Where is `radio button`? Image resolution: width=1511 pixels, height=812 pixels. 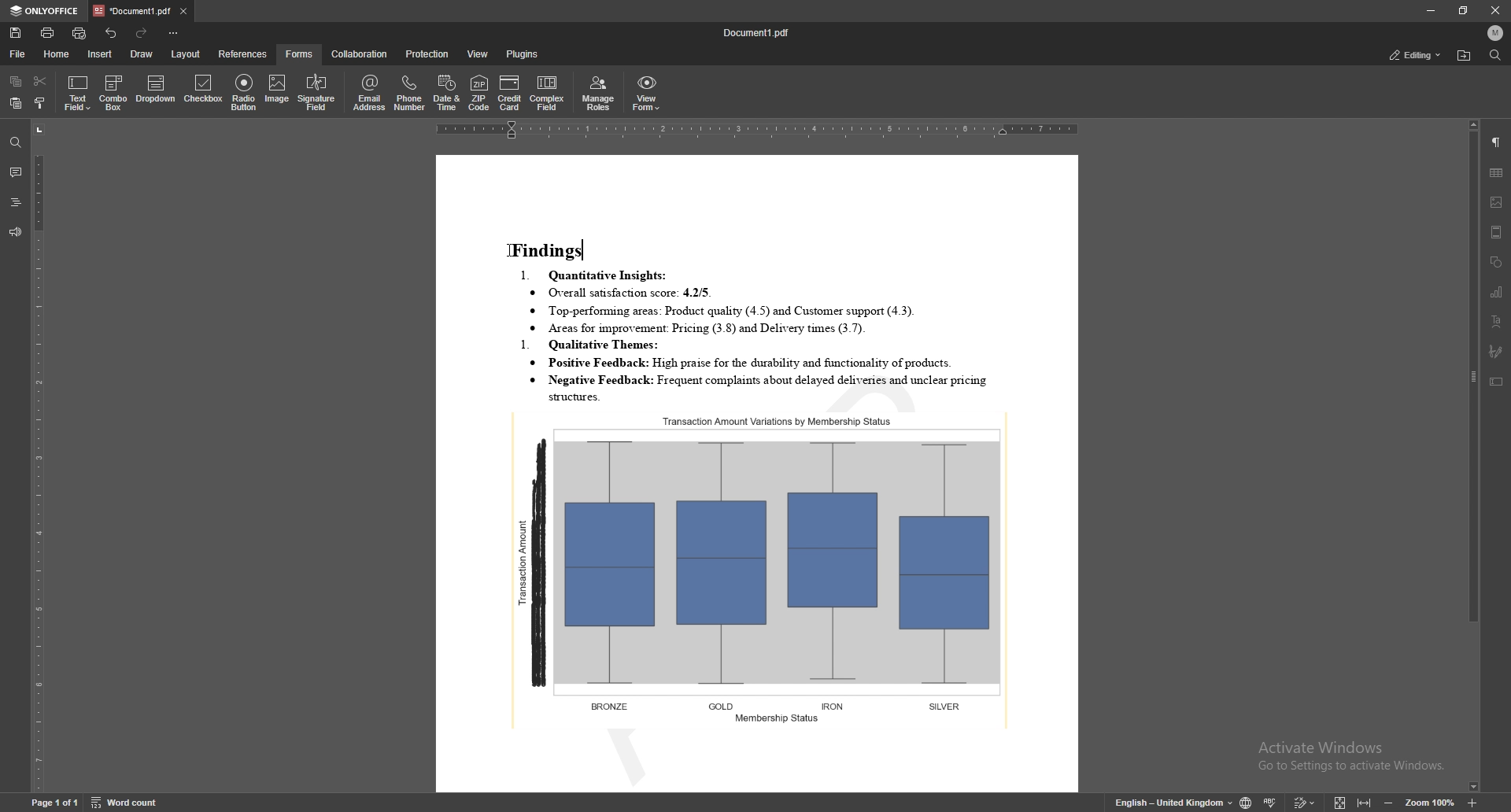 radio button is located at coordinates (243, 94).